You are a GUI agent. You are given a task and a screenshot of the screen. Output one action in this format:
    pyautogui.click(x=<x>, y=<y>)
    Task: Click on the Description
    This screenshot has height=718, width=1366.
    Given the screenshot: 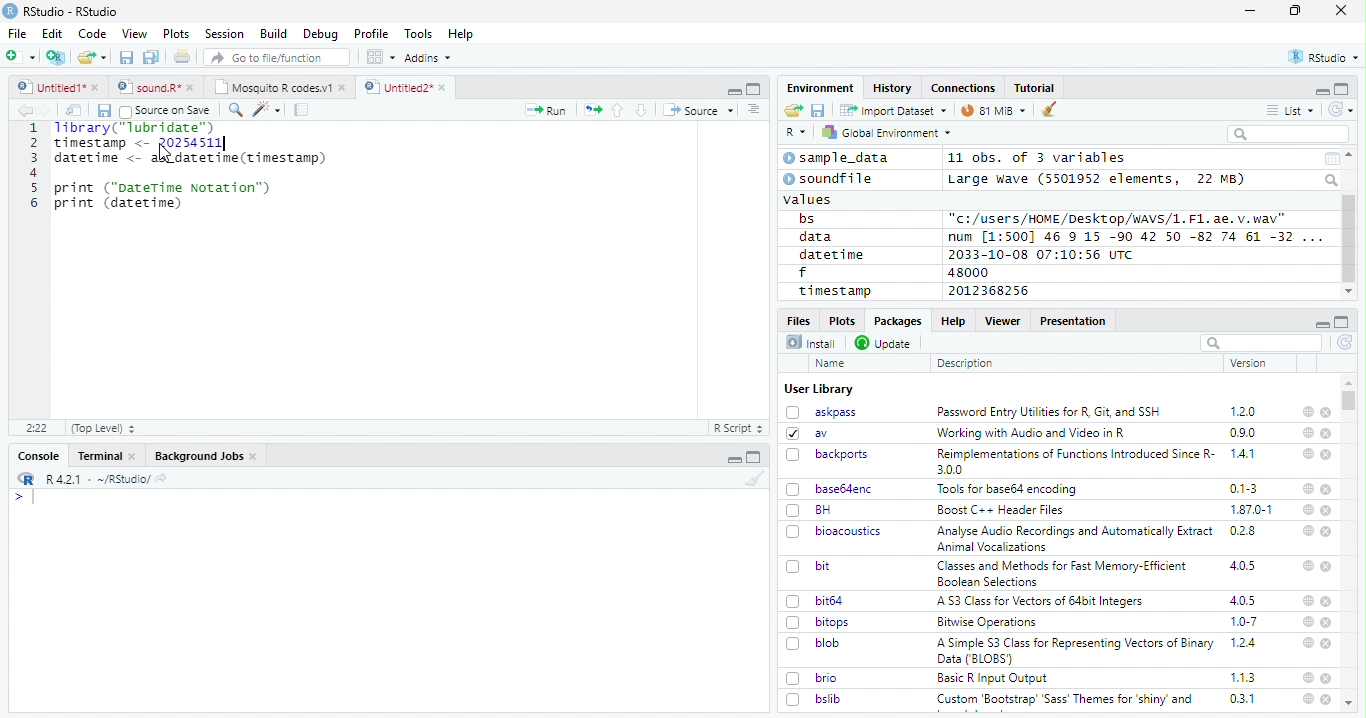 What is the action you would take?
    pyautogui.click(x=966, y=363)
    